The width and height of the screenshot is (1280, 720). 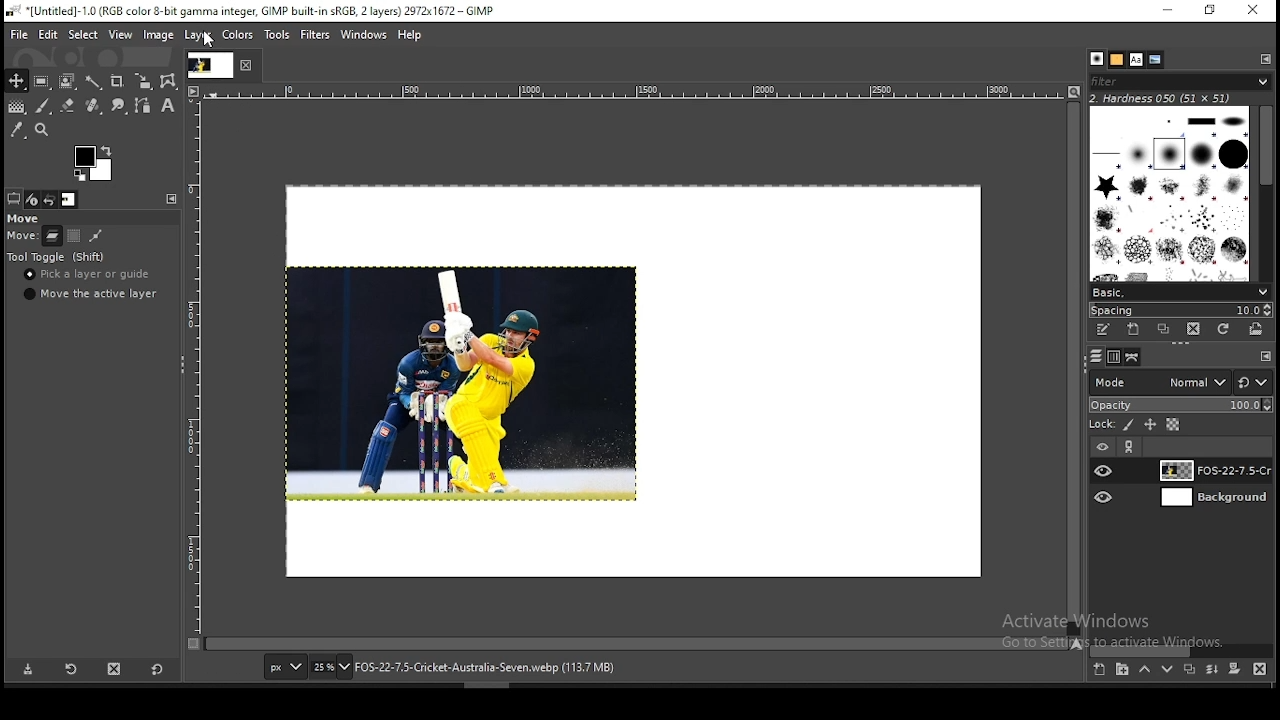 I want to click on layer visibility on/off, so click(x=1101, y=445).